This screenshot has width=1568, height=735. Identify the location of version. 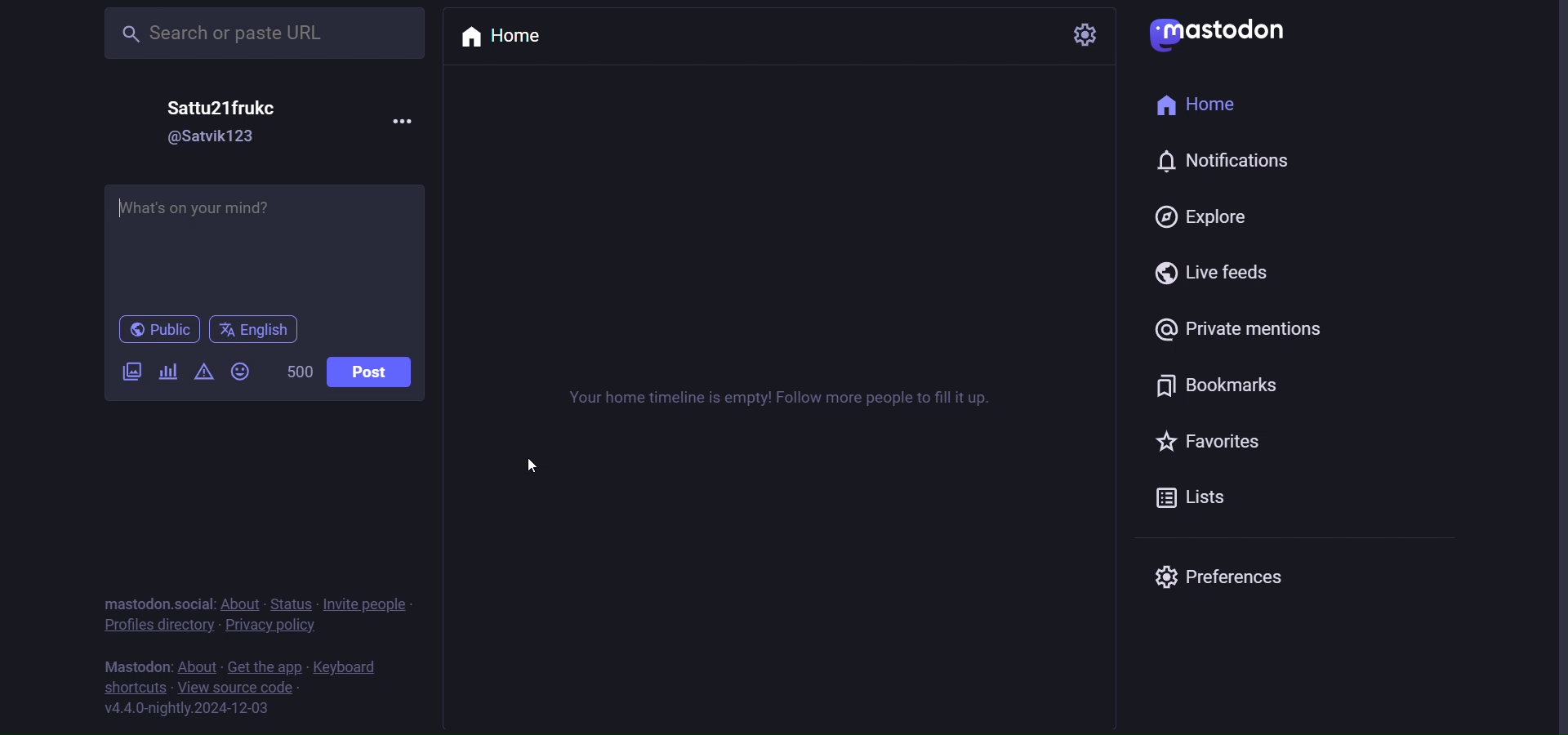
(184, 709).